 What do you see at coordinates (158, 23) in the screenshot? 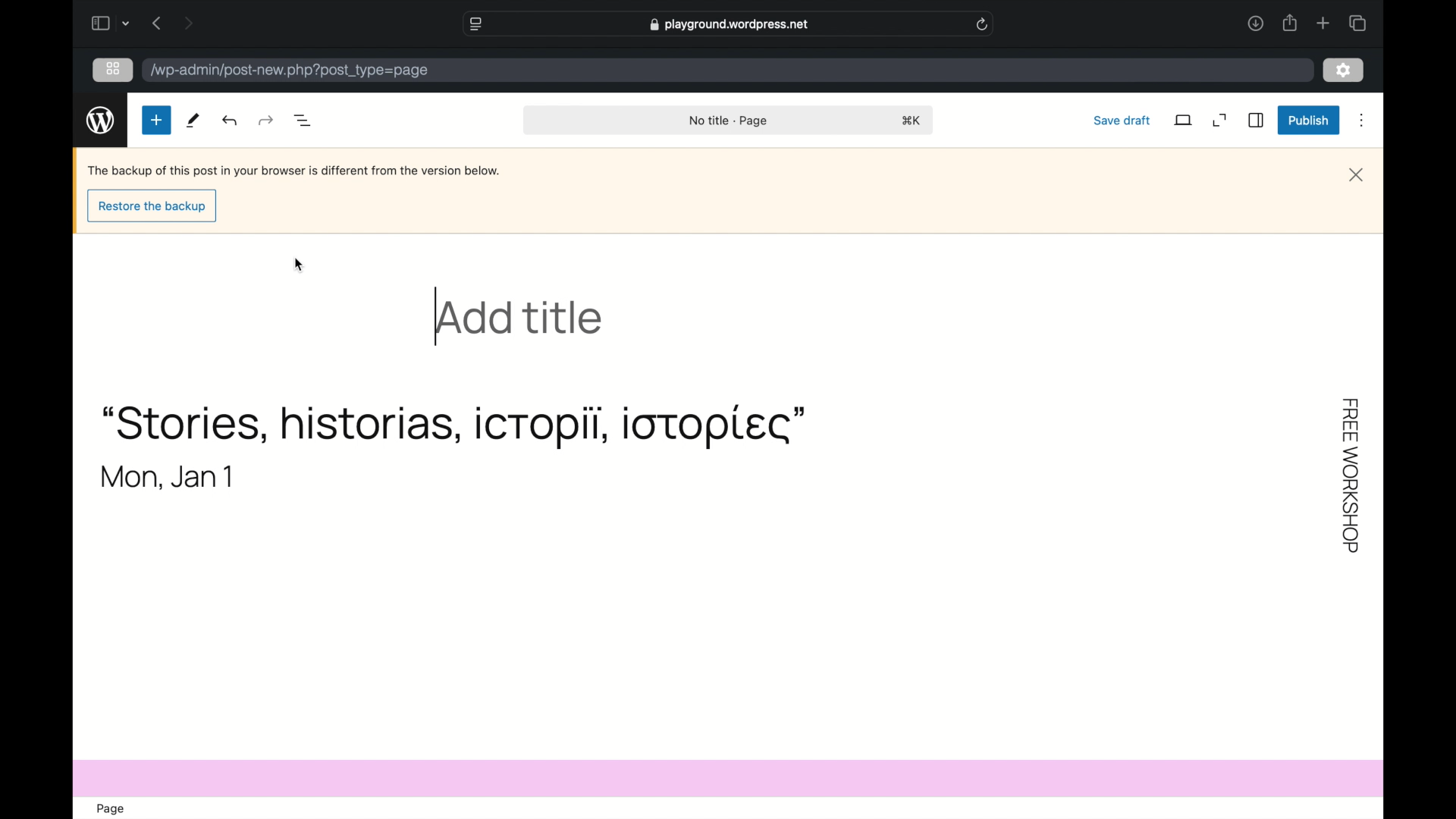
I see `previous page` at bounding box center [158, 23].